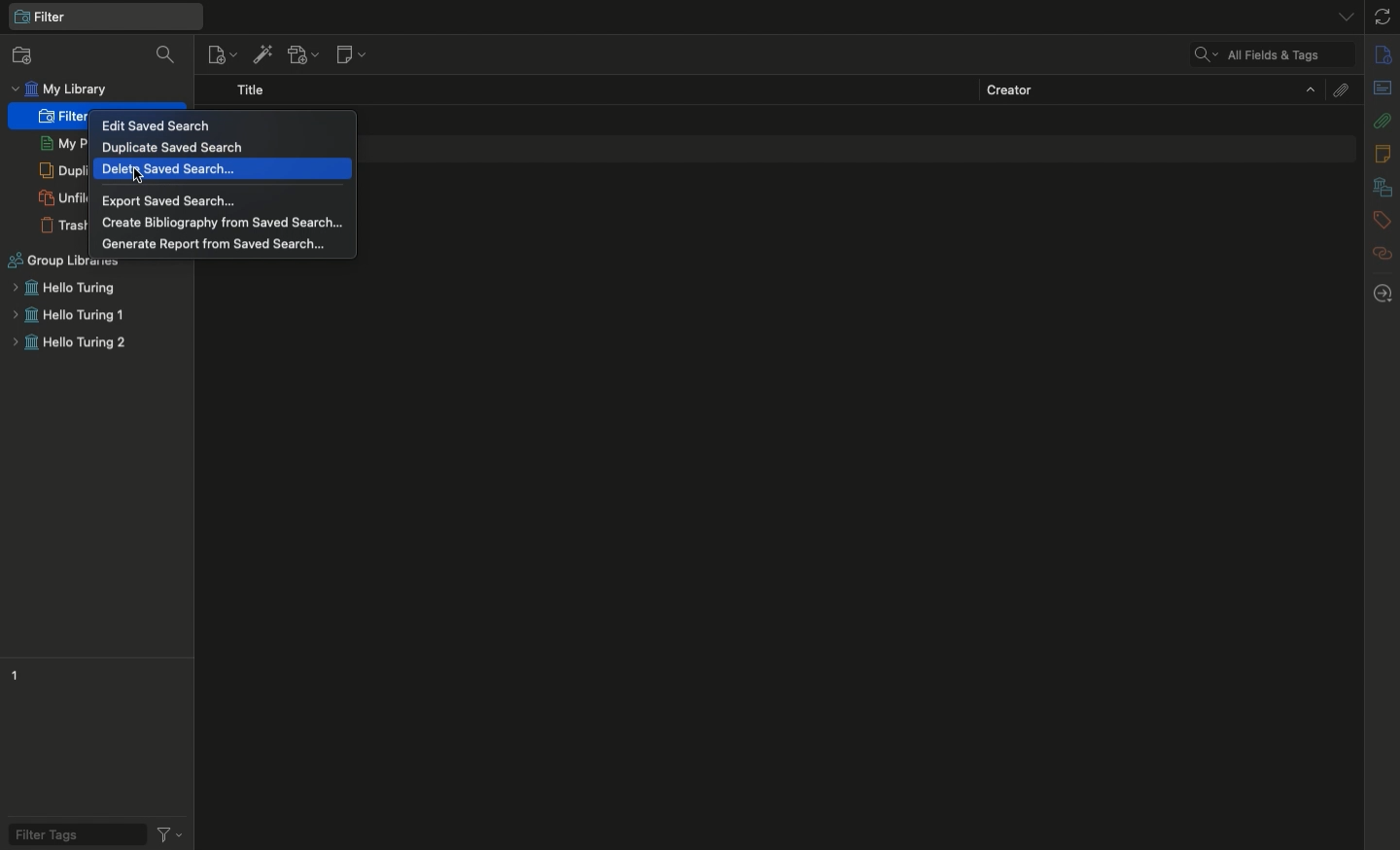 This screenshot has width=1400, height=850. Describe the element at coordinates (58, 226) in the screenshot. I see `Trash` at that location.